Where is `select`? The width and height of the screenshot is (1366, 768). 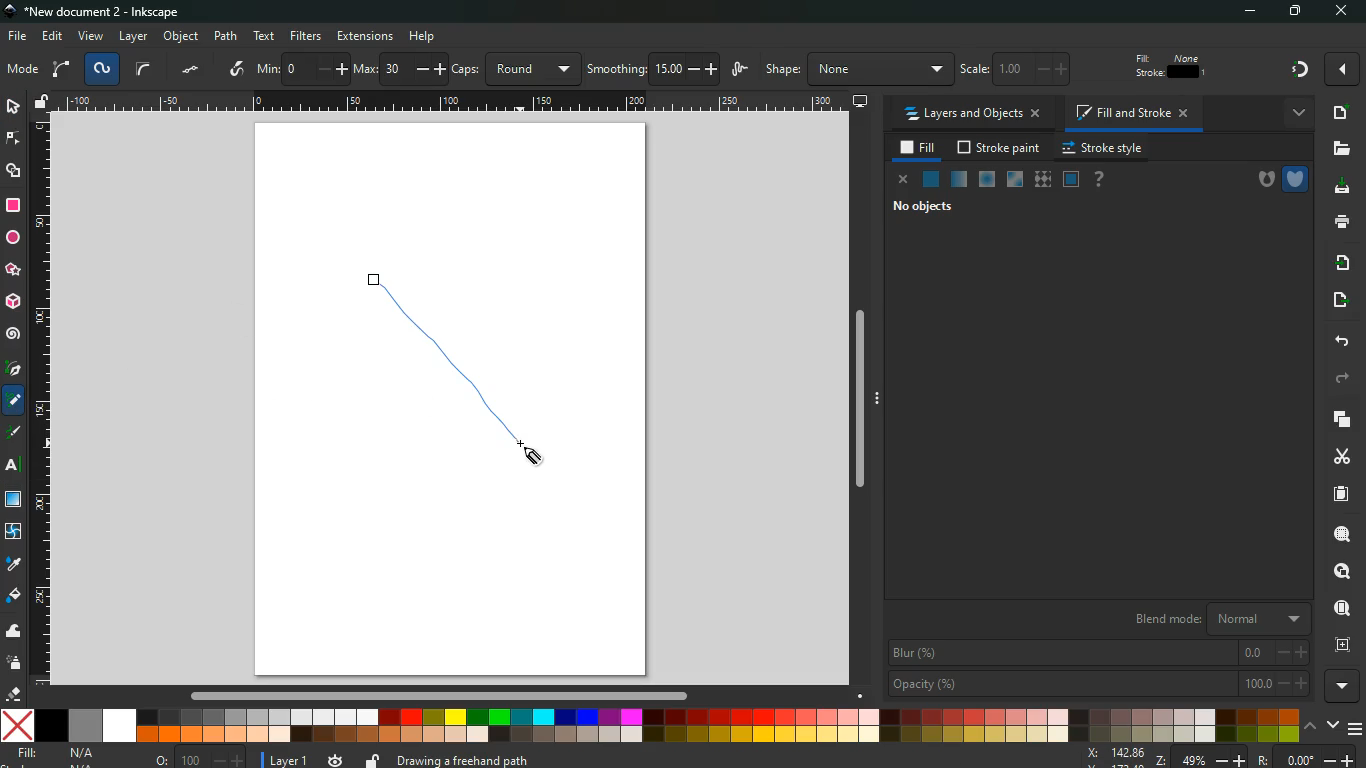
select is located at coordinates (16, 108).